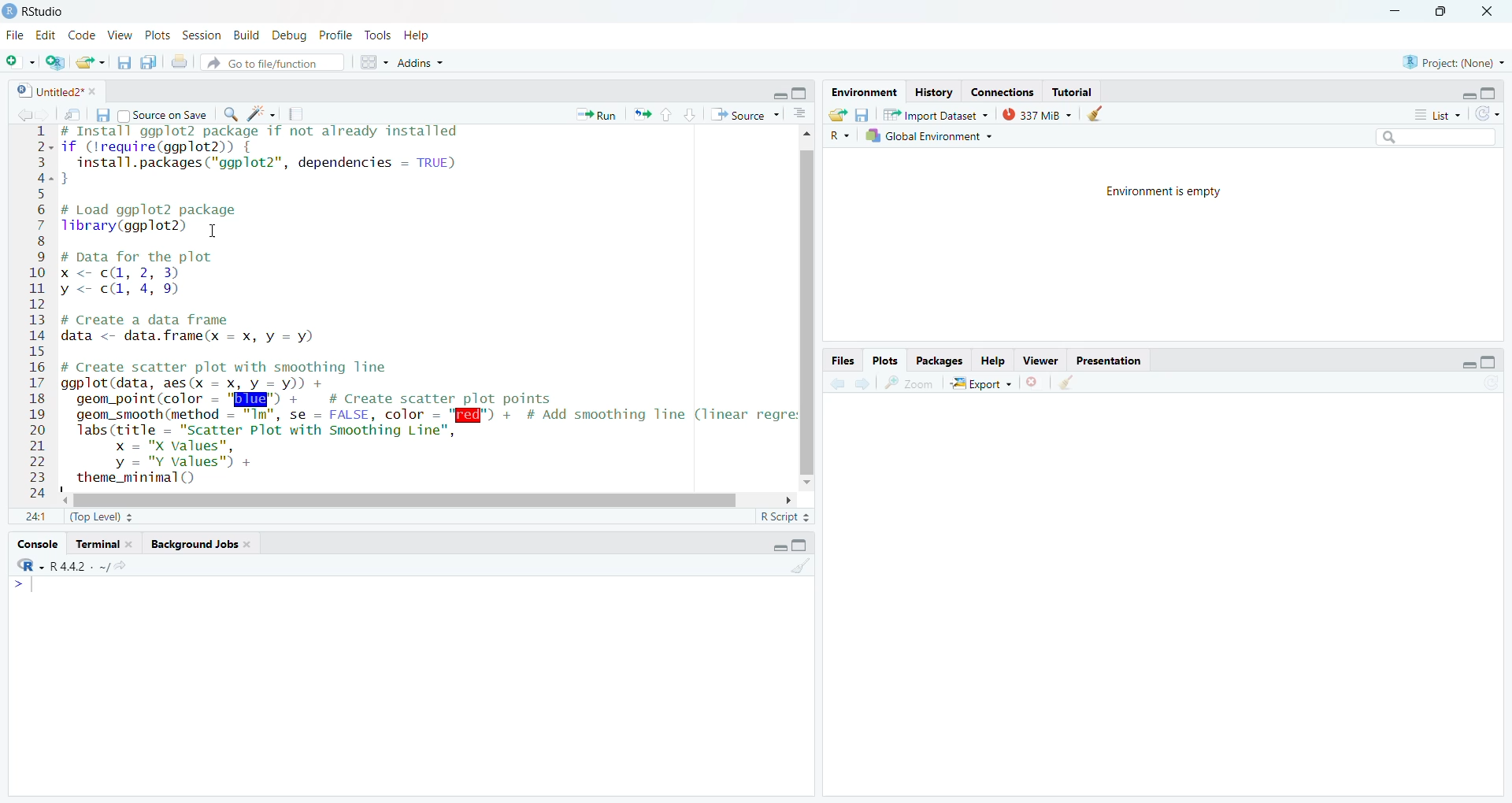  What do you see at coordinates (592, 115) in the screenshot?
I see ` Run` at bounding box center [592, 115].